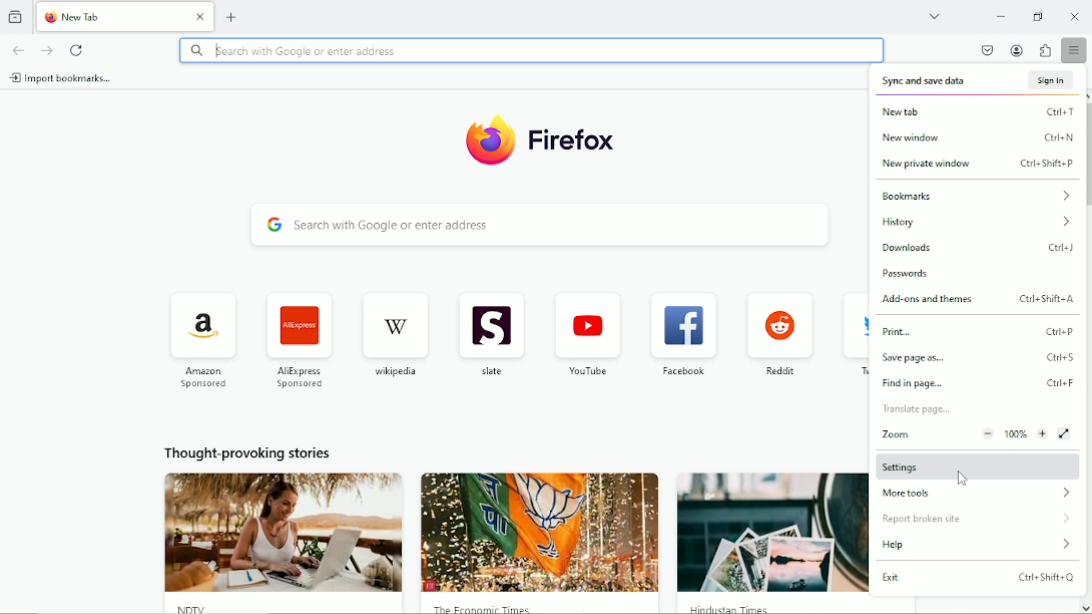  Describe the element at coordinates (977, 112) in the screenshot. I see `new tab` at that location.